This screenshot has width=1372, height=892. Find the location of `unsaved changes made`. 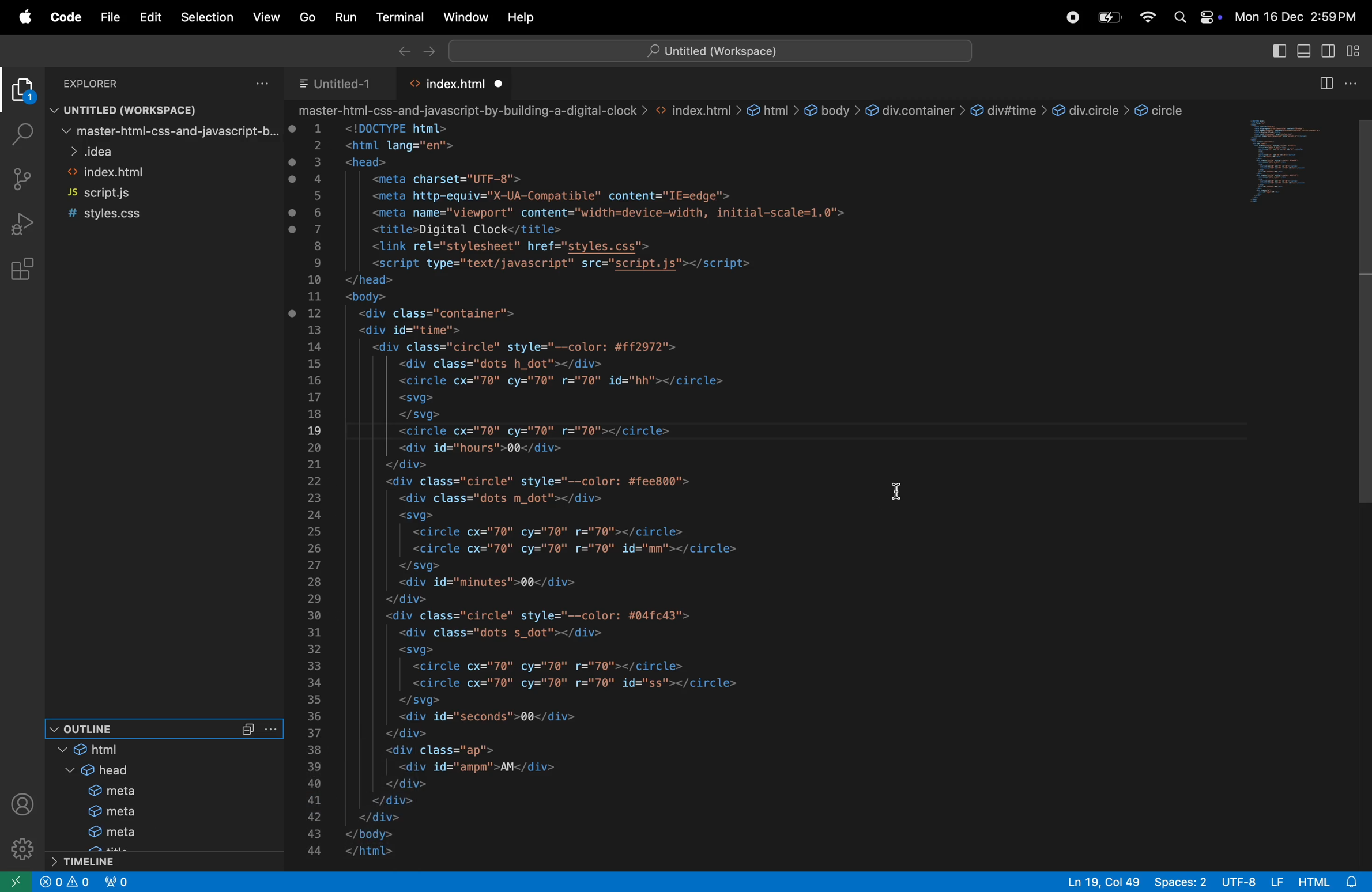

unsaved changes made is located at coordinates (295, 222).